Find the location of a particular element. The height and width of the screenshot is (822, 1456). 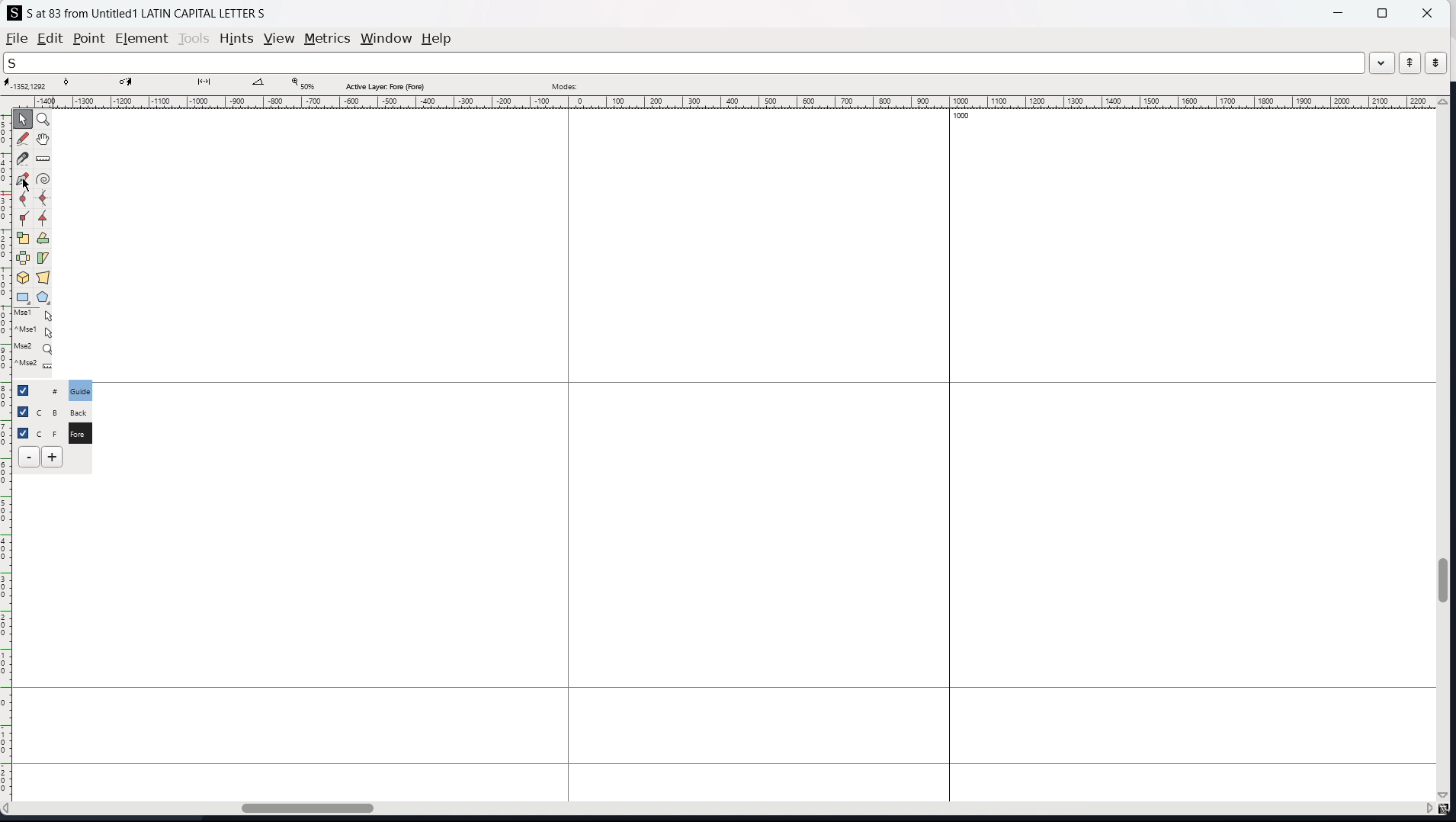

tools is located at coordinates (195, 38).